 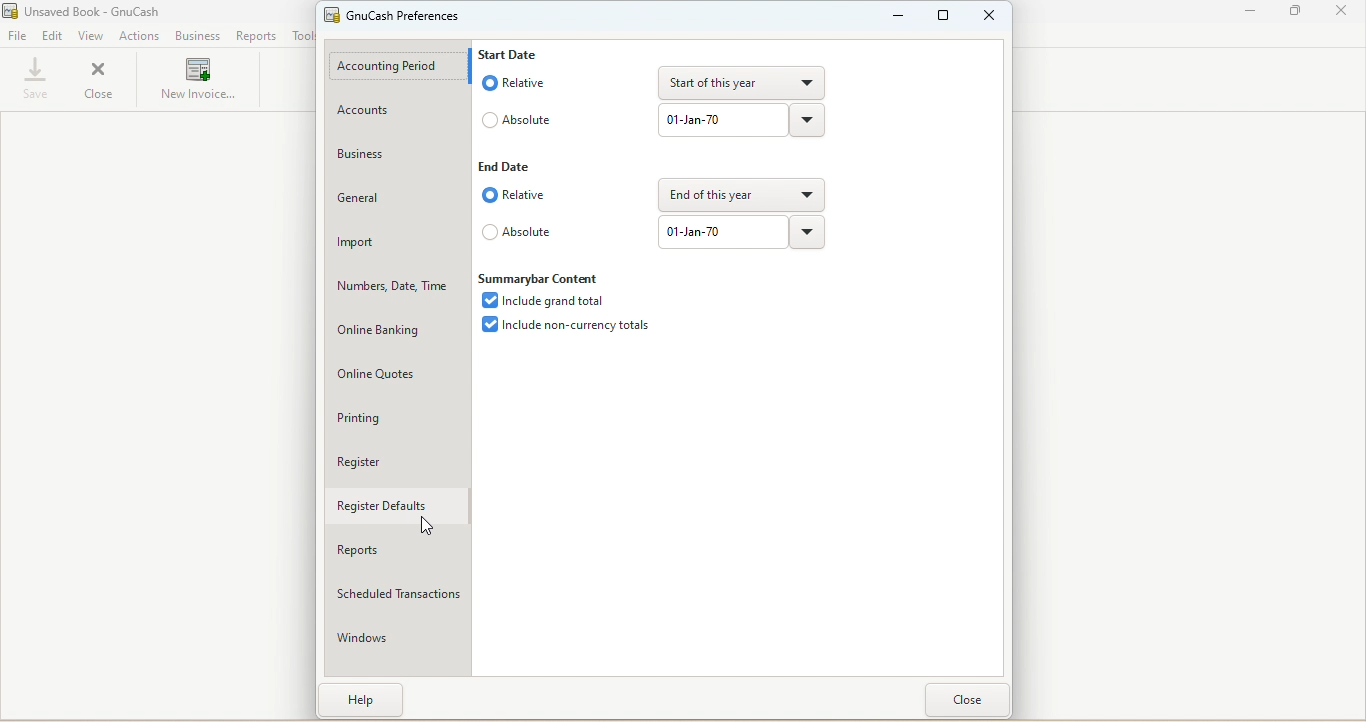 What do you see at coordinates (569, 328) in the screenshot?
I see `Include non-currency totals` at bounding box center [569, 328].